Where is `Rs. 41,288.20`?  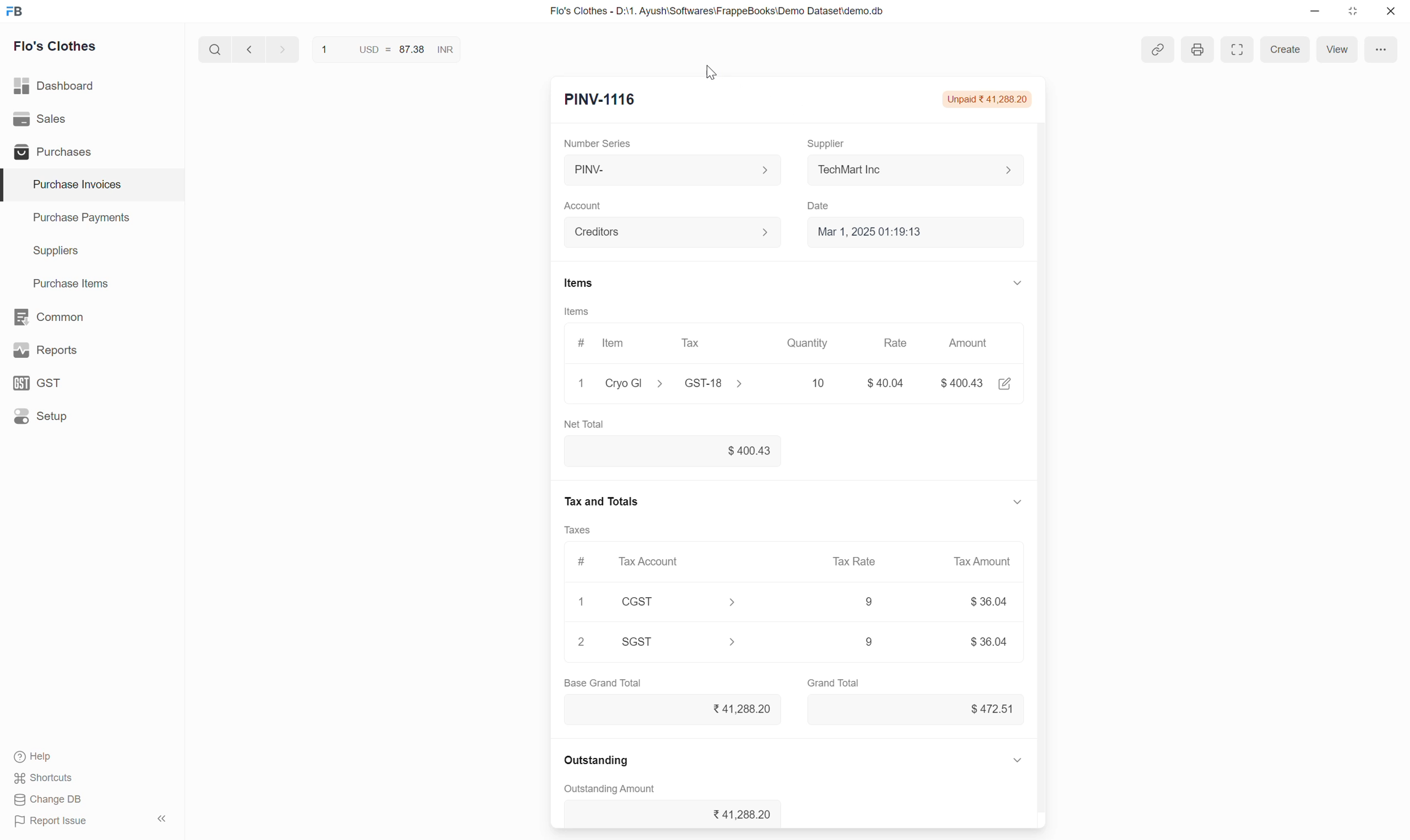 Rs. 41,288.20 is located at coordinates (740, 710).